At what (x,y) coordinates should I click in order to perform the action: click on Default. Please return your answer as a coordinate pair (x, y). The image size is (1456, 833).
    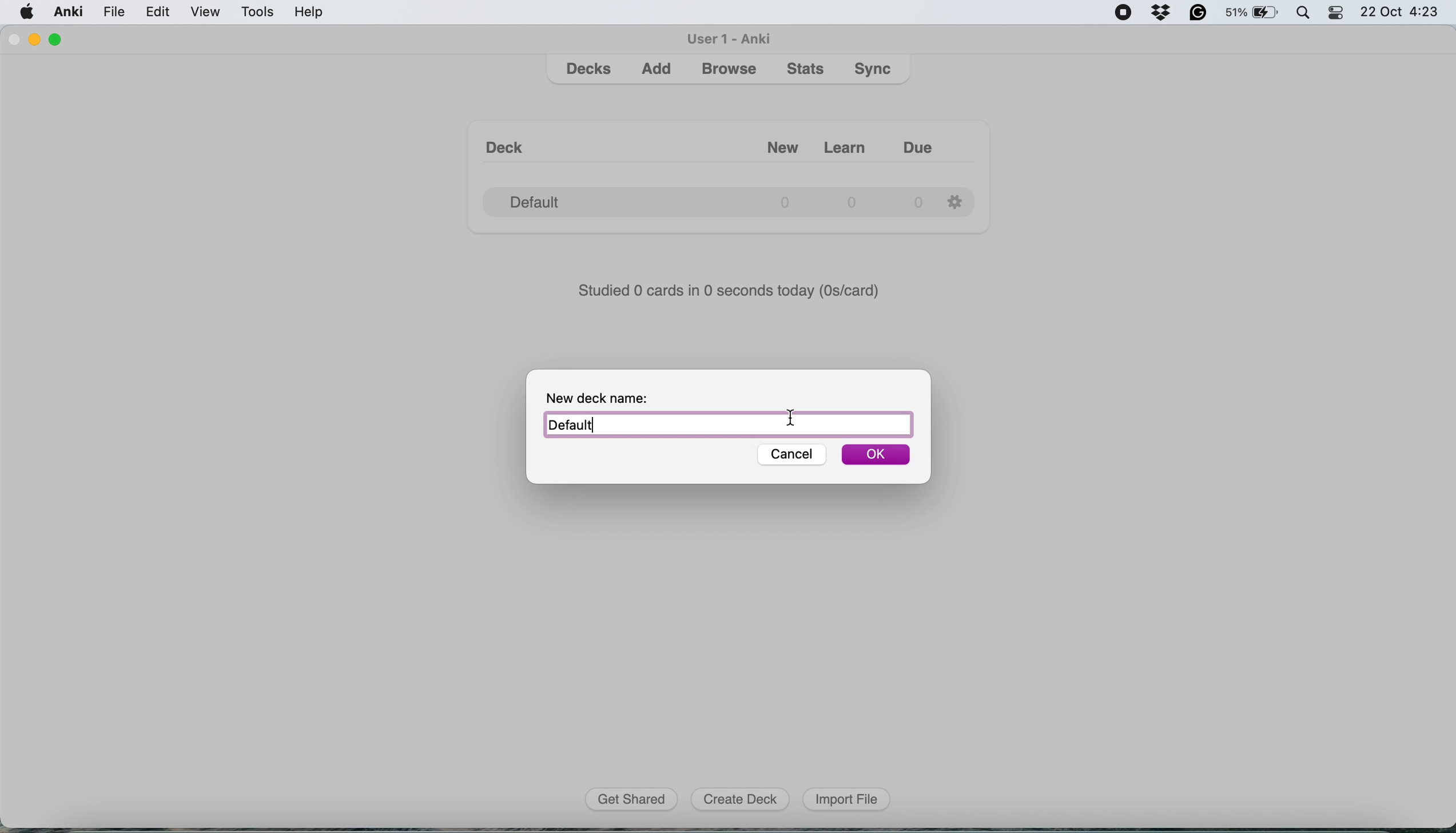
    Looking at the image, I should click on (727, 425).